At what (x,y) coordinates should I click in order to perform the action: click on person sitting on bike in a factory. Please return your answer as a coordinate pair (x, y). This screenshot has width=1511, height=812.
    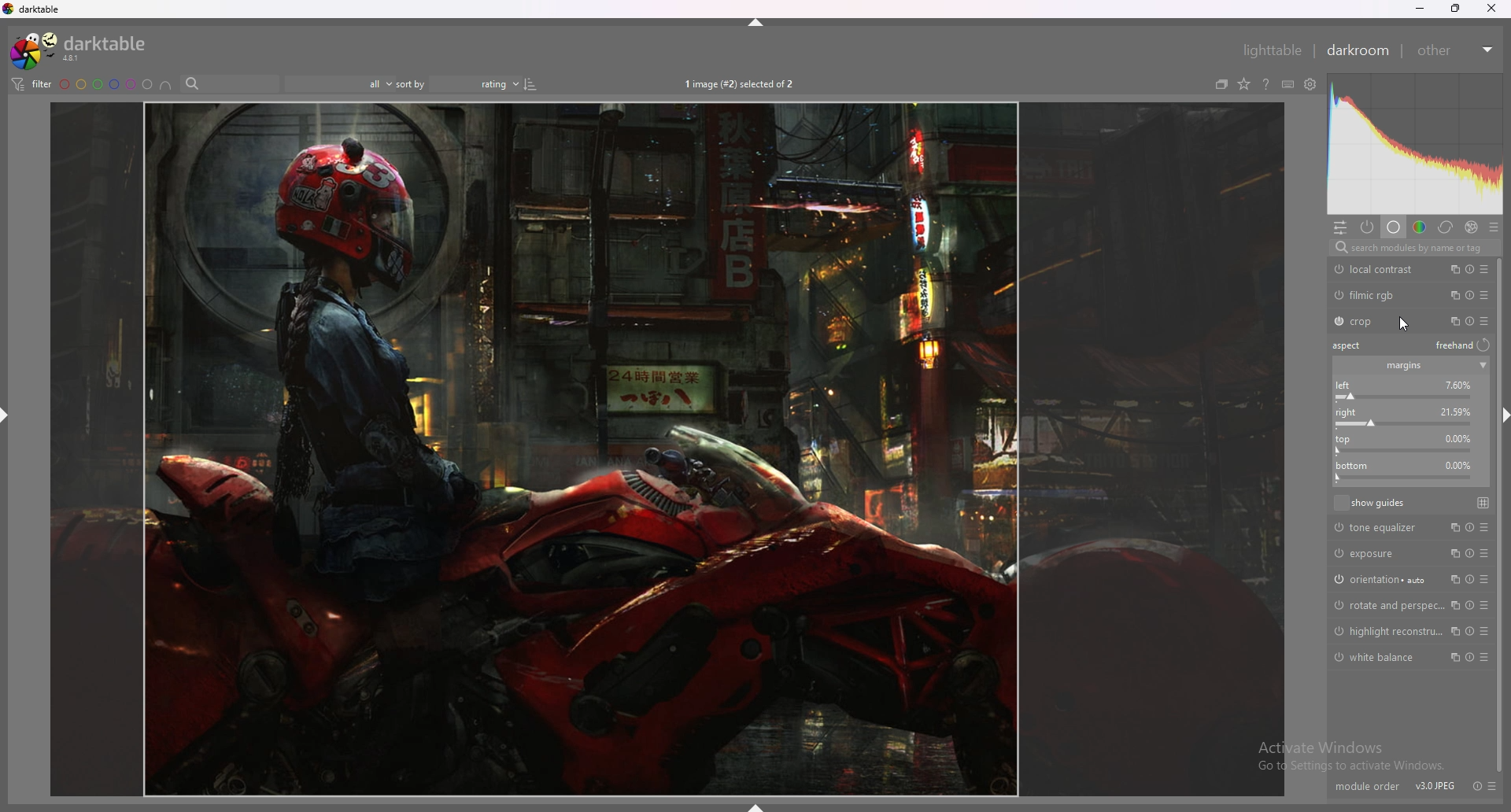
    Looking at the image, I should click on (669, 447).